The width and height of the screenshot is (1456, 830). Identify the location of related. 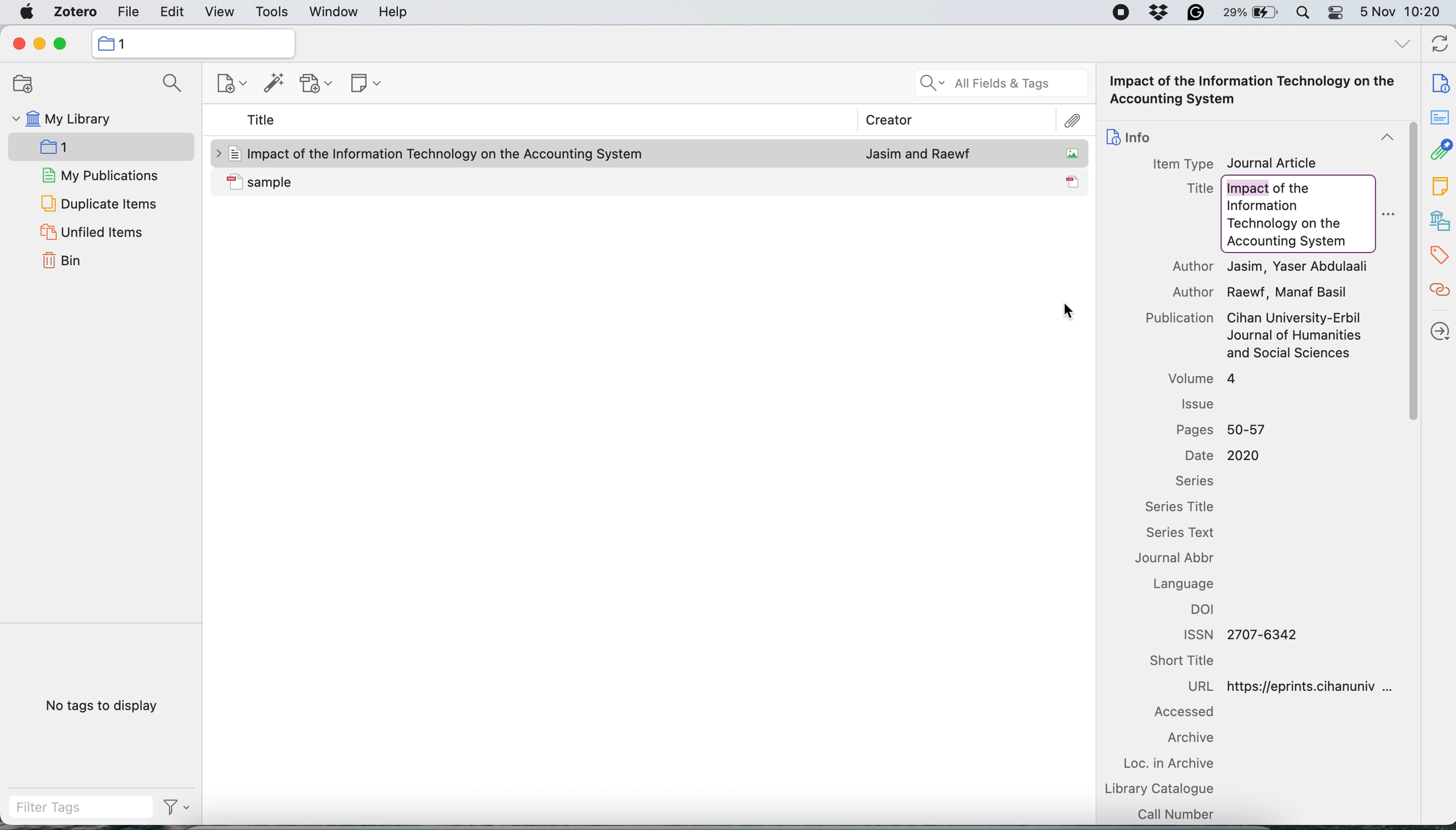
(1439, 292).